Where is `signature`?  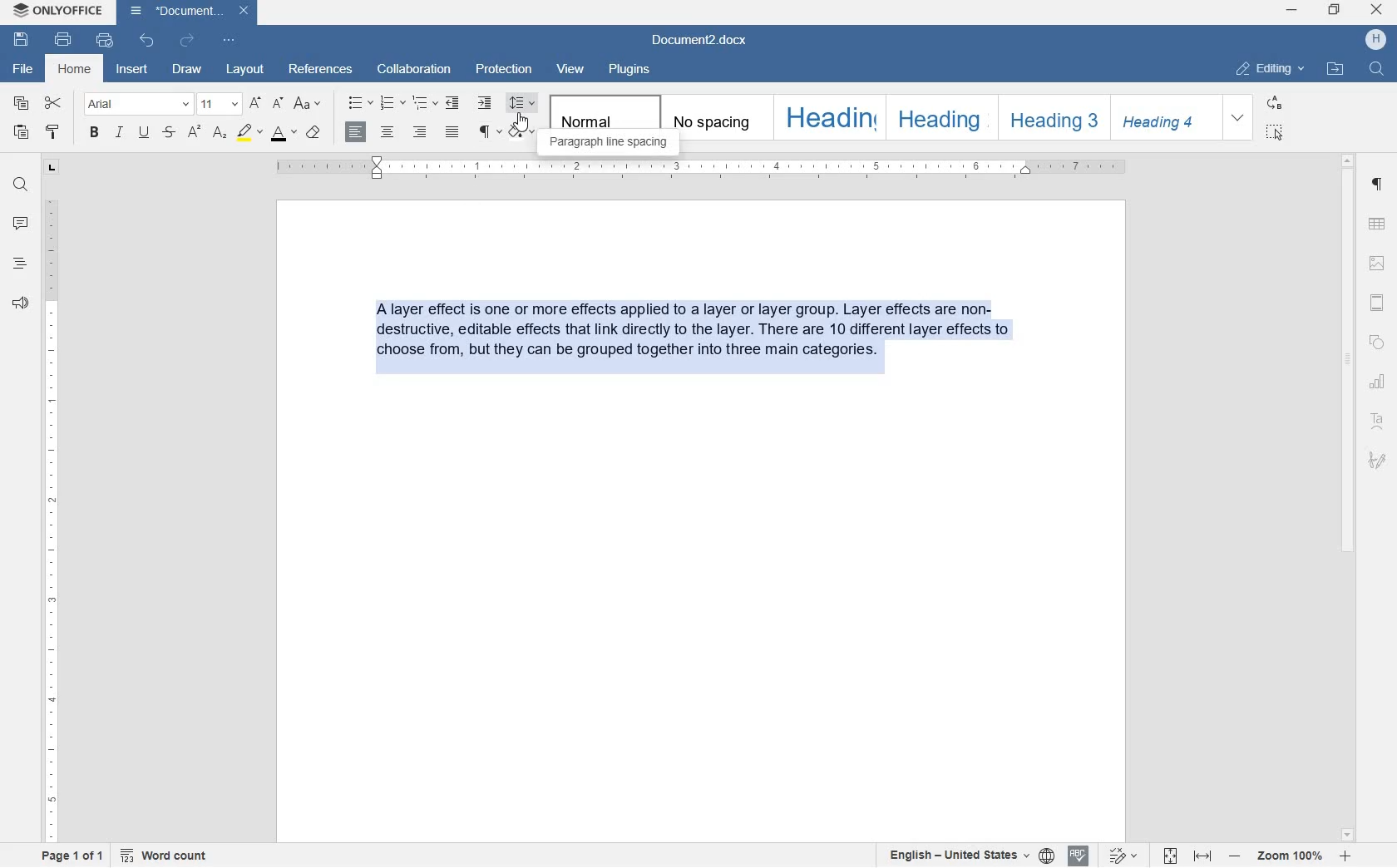 signature is located at coordinates (1377, 460).